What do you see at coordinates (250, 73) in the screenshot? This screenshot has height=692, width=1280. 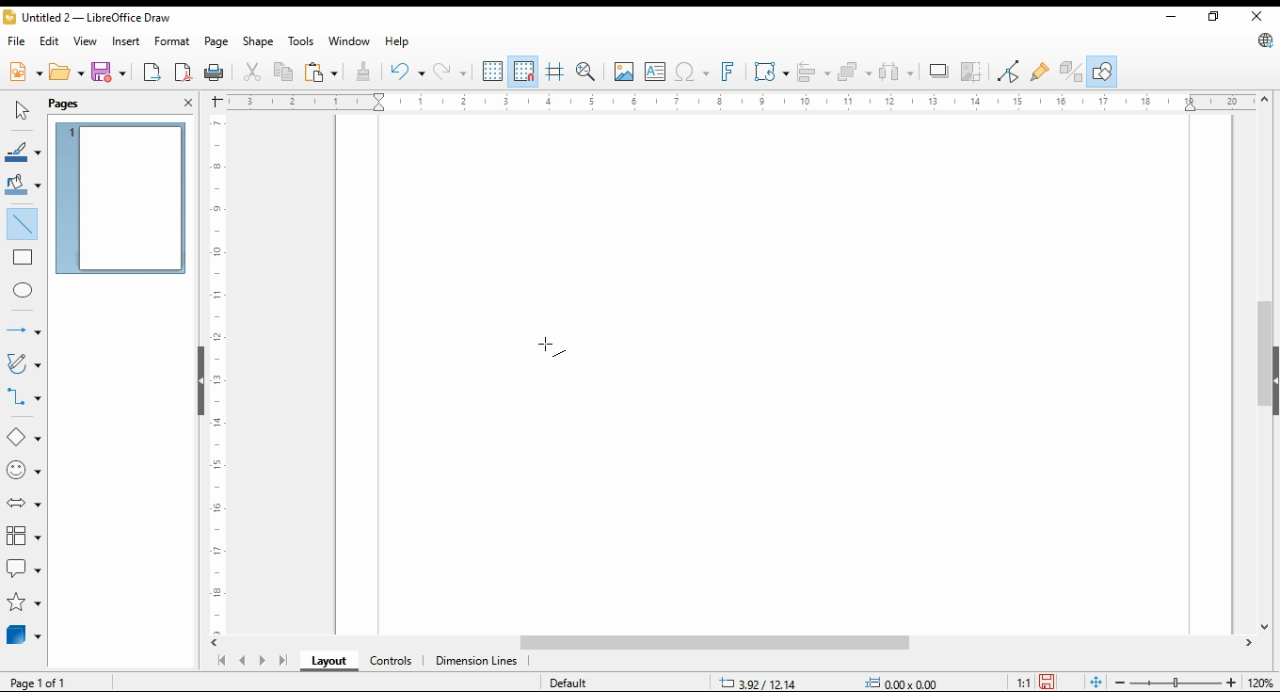 I see `cut` at bounding box center [250, 73].